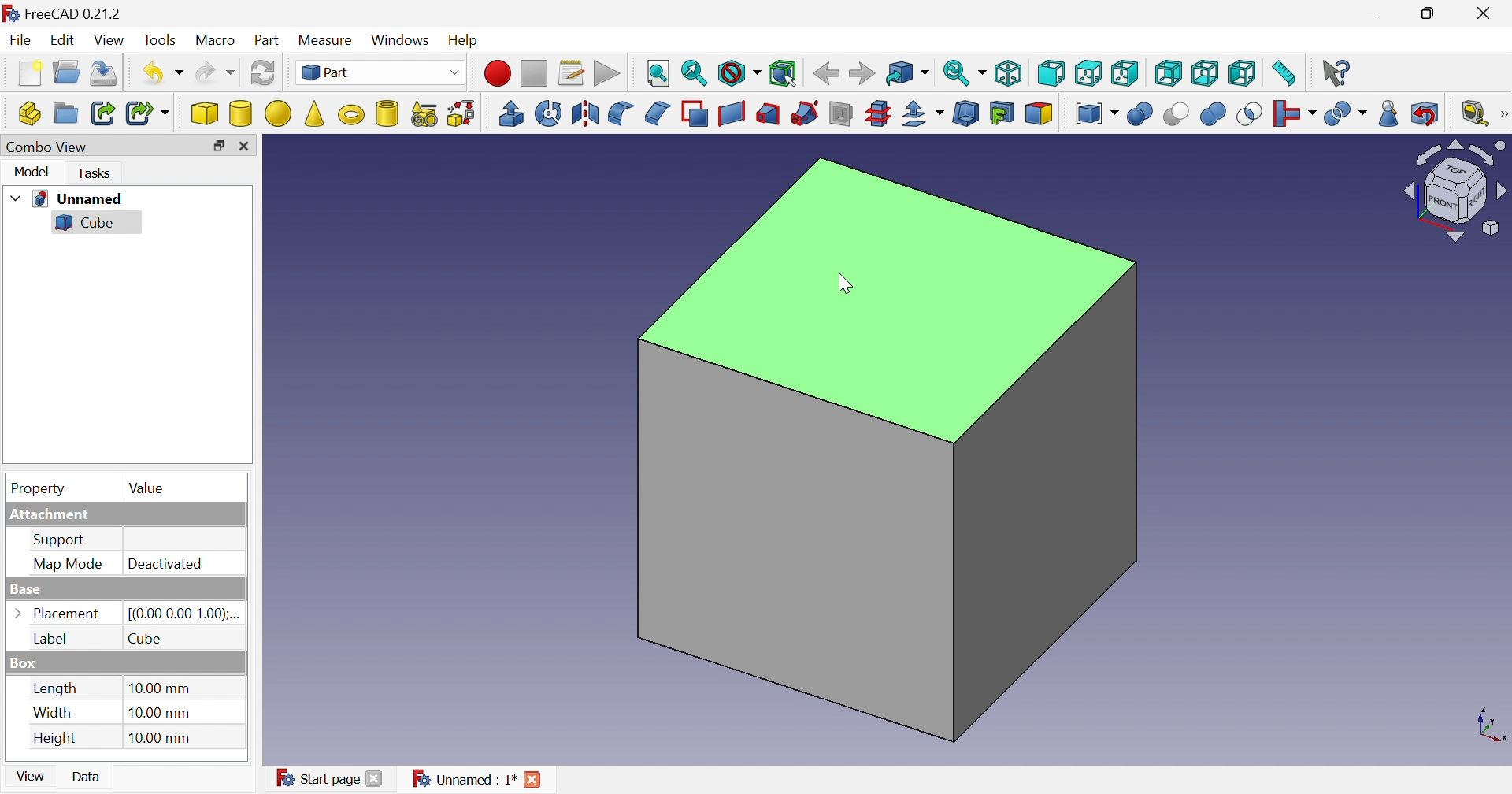 The image size is (1512, 794). I want to click on Fit selection, so click(694, 71).